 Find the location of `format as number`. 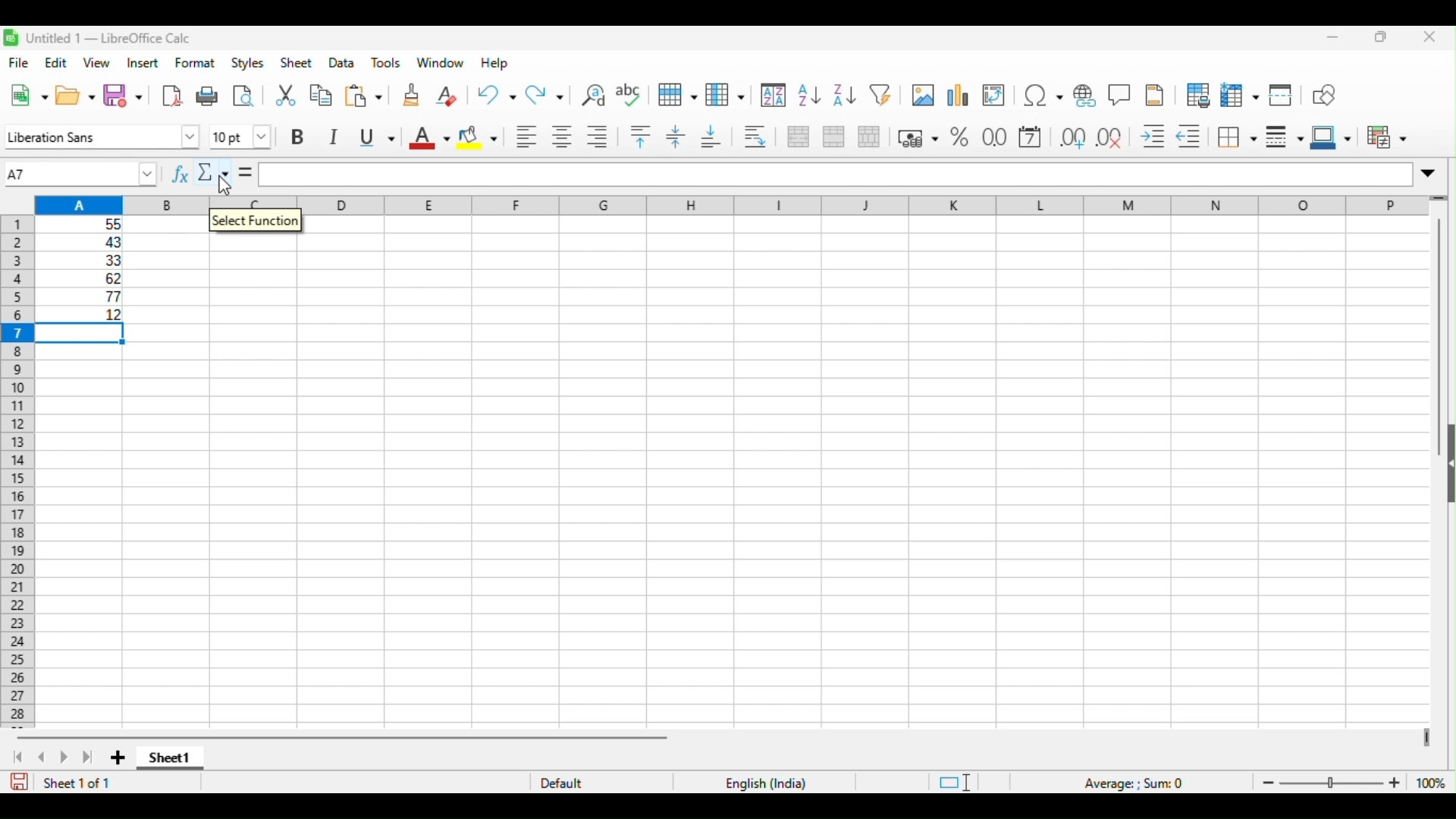

format as number is located at coordinates (995, 138).